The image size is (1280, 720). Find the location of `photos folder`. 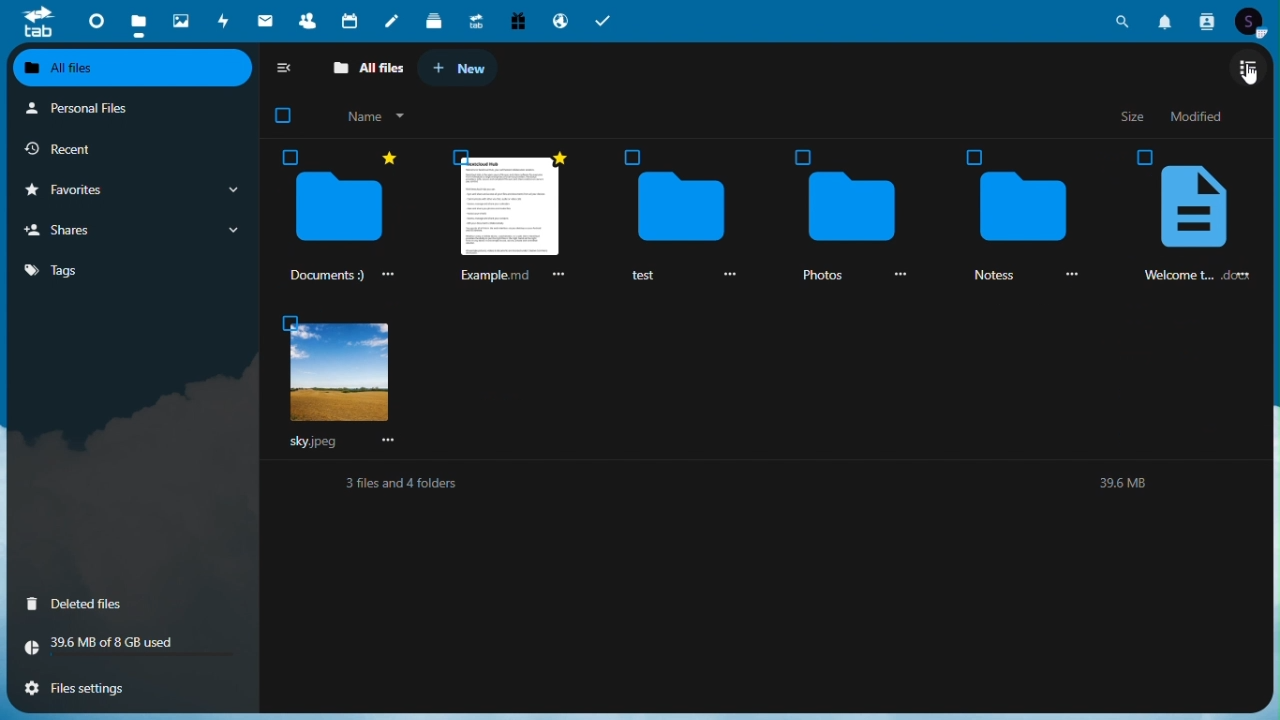

photos folder is located at coordinates (849, 208).